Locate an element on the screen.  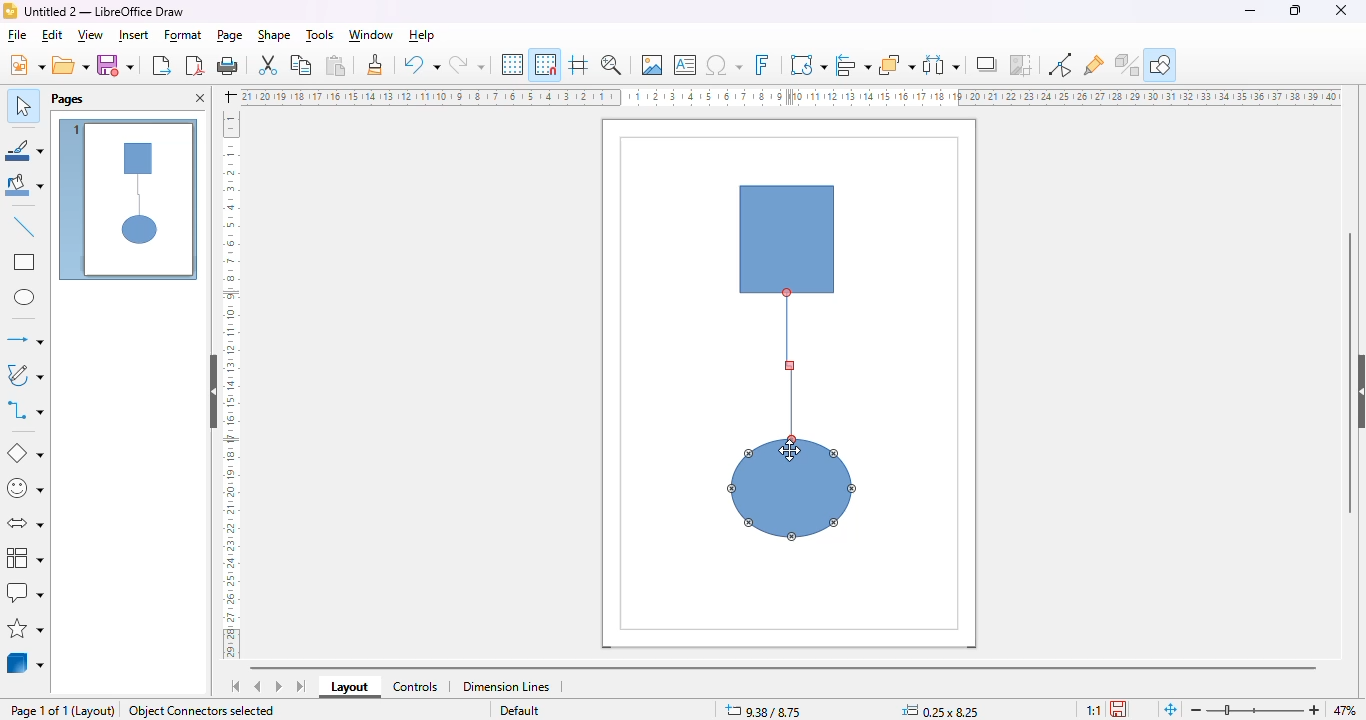
connectors is located at coordinates (26, 409).